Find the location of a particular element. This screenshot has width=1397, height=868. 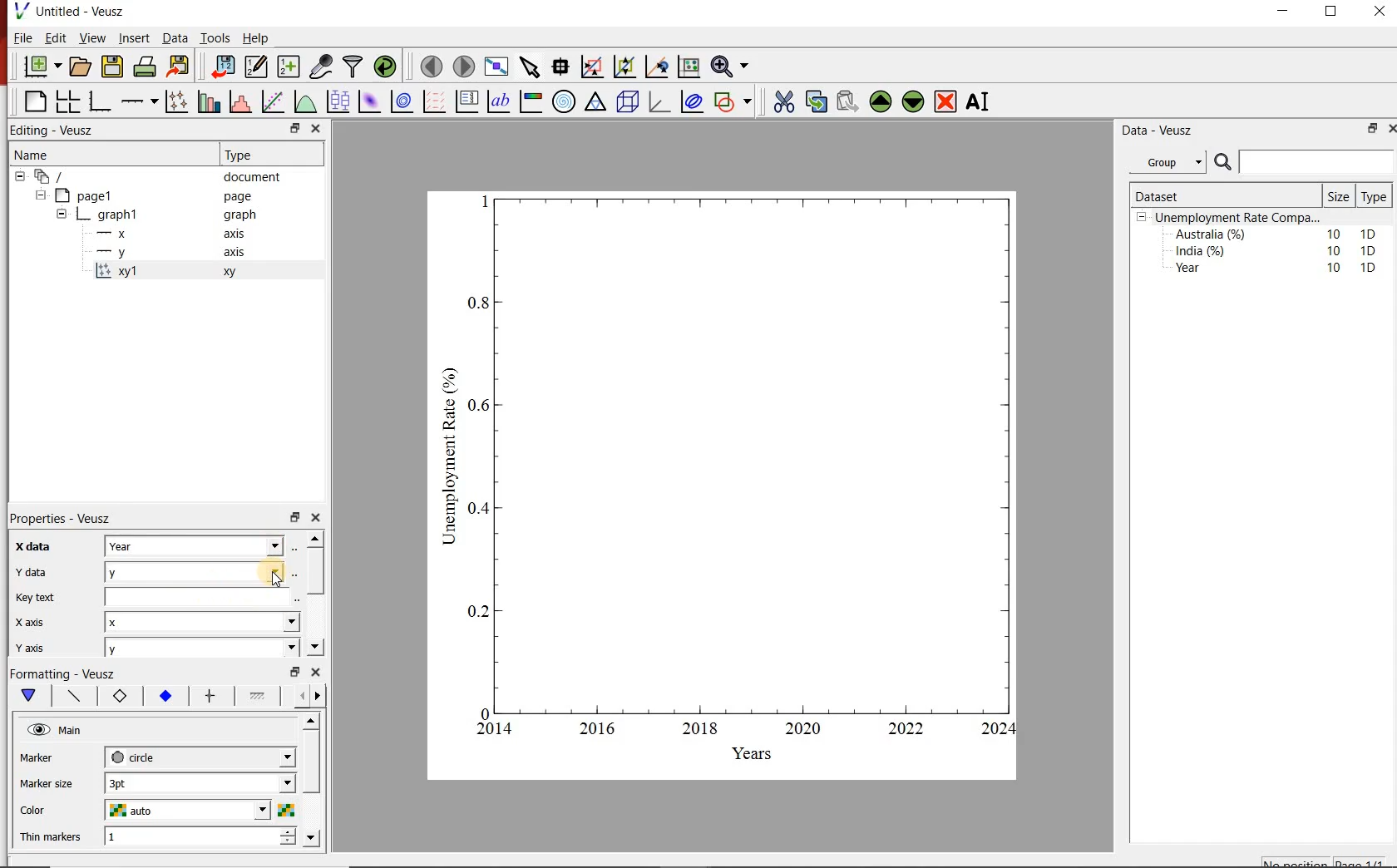

View is located at coordinates (91, 38).